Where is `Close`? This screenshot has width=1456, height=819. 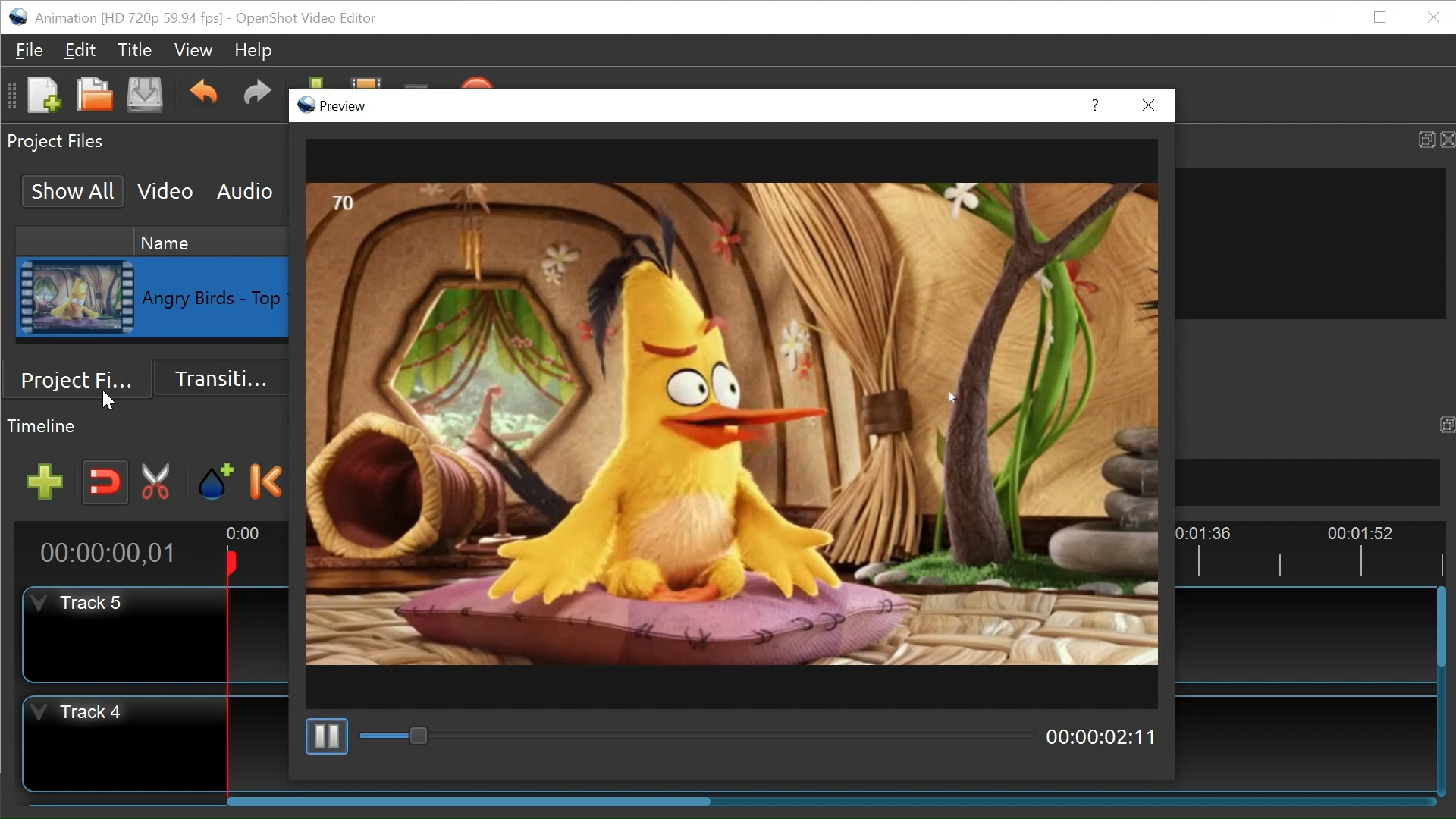 Close is located at coordinates (1446, 138).